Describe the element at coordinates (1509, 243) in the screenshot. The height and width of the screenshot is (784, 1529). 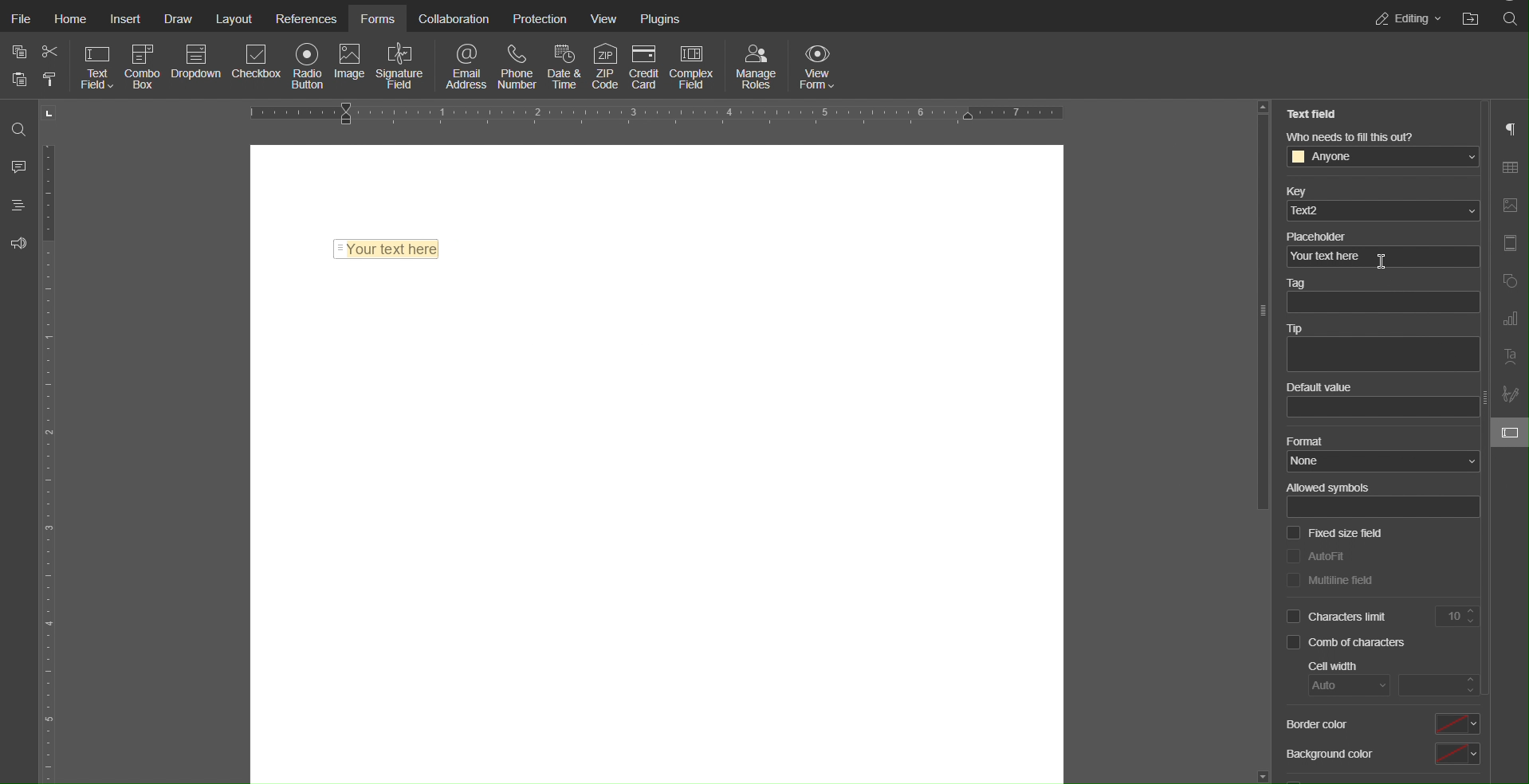
I see `Header and Footer` at that location.